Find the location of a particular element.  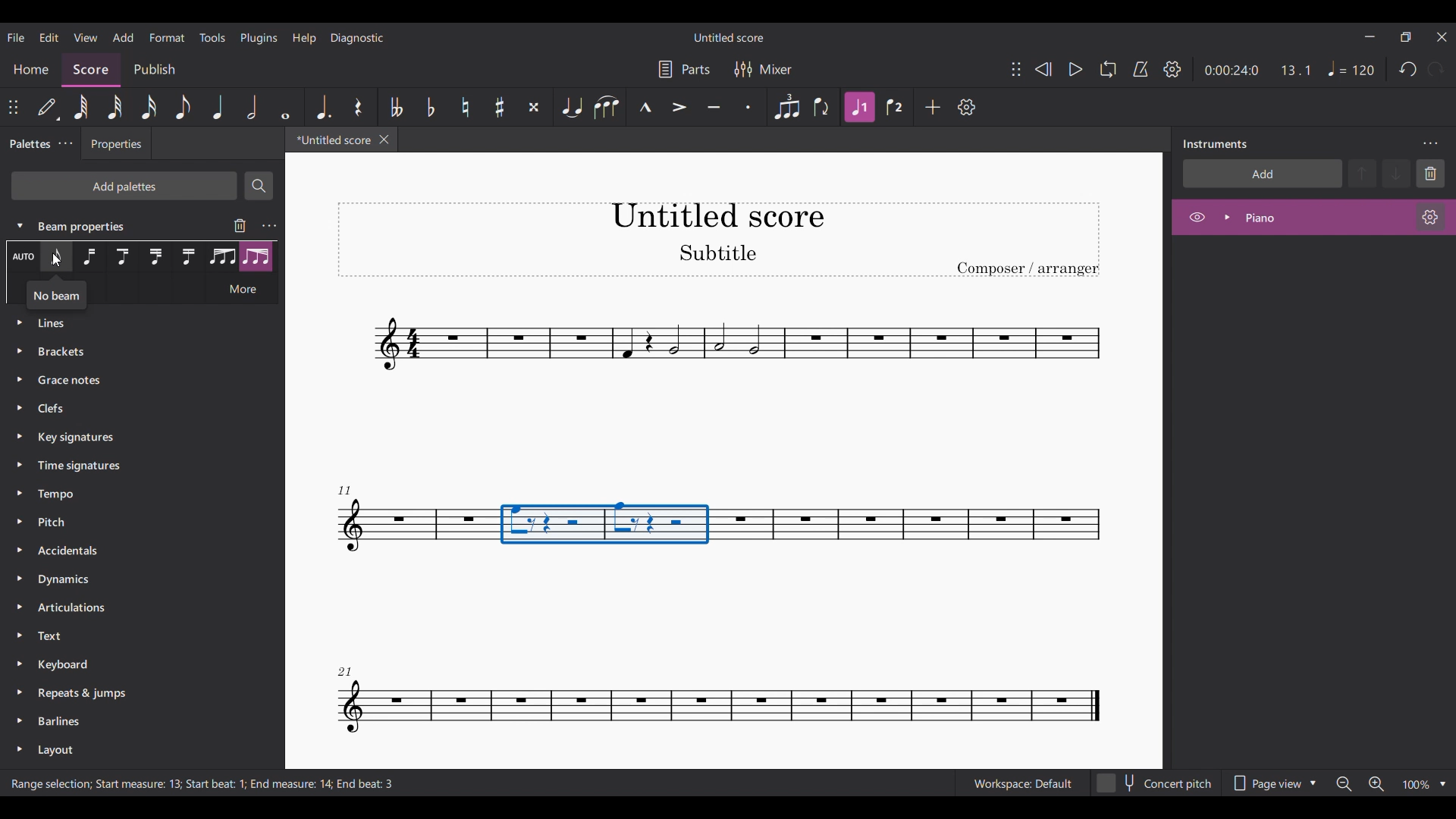

Rewind is located at coordinates (1043, 69).